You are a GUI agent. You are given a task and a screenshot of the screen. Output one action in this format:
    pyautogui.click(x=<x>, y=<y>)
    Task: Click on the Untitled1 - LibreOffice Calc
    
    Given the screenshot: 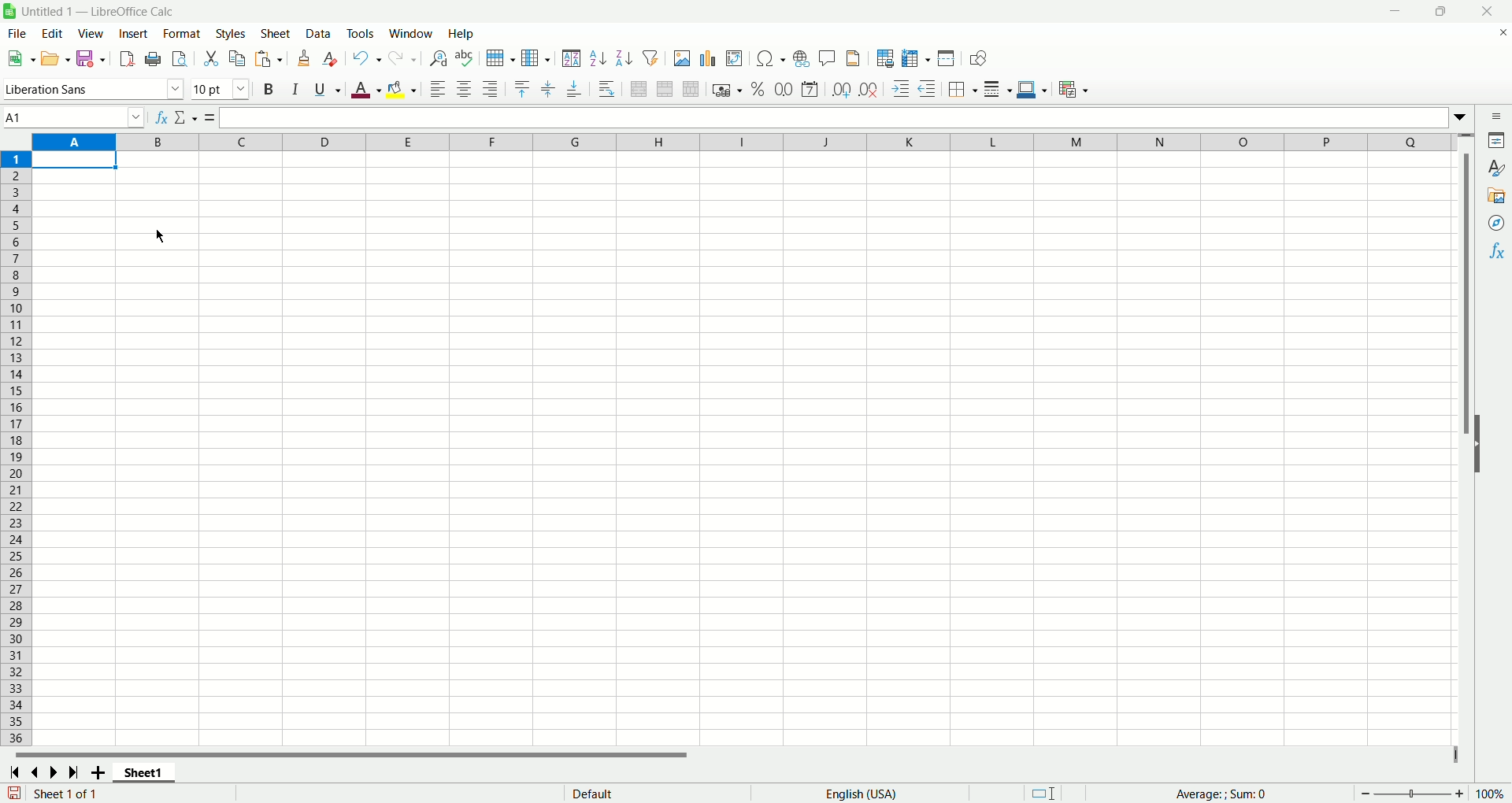 What is the action you would take?
    pyautogui.click(x=96, y=11)
    